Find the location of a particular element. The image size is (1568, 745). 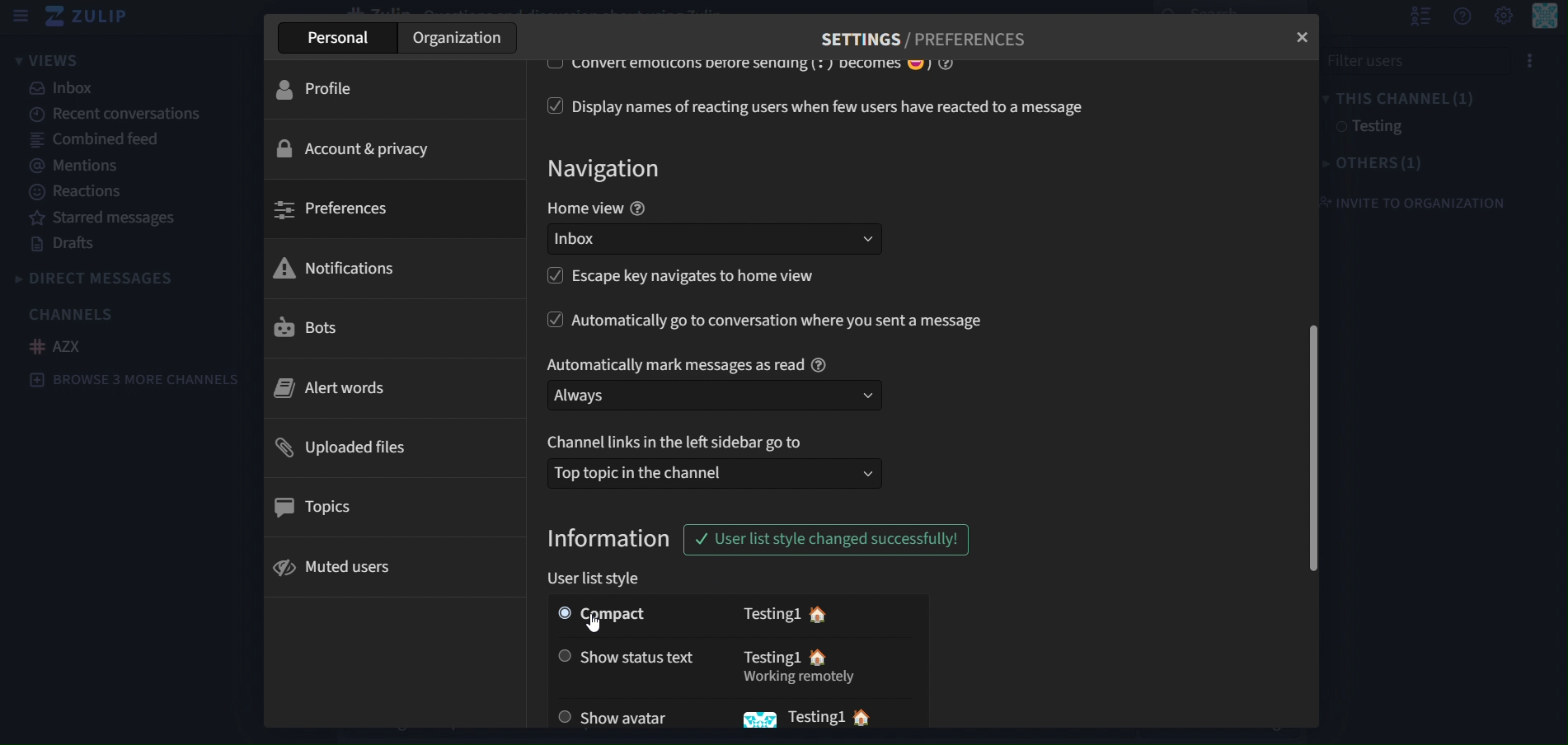

check box is located at coordinates (554, 280).